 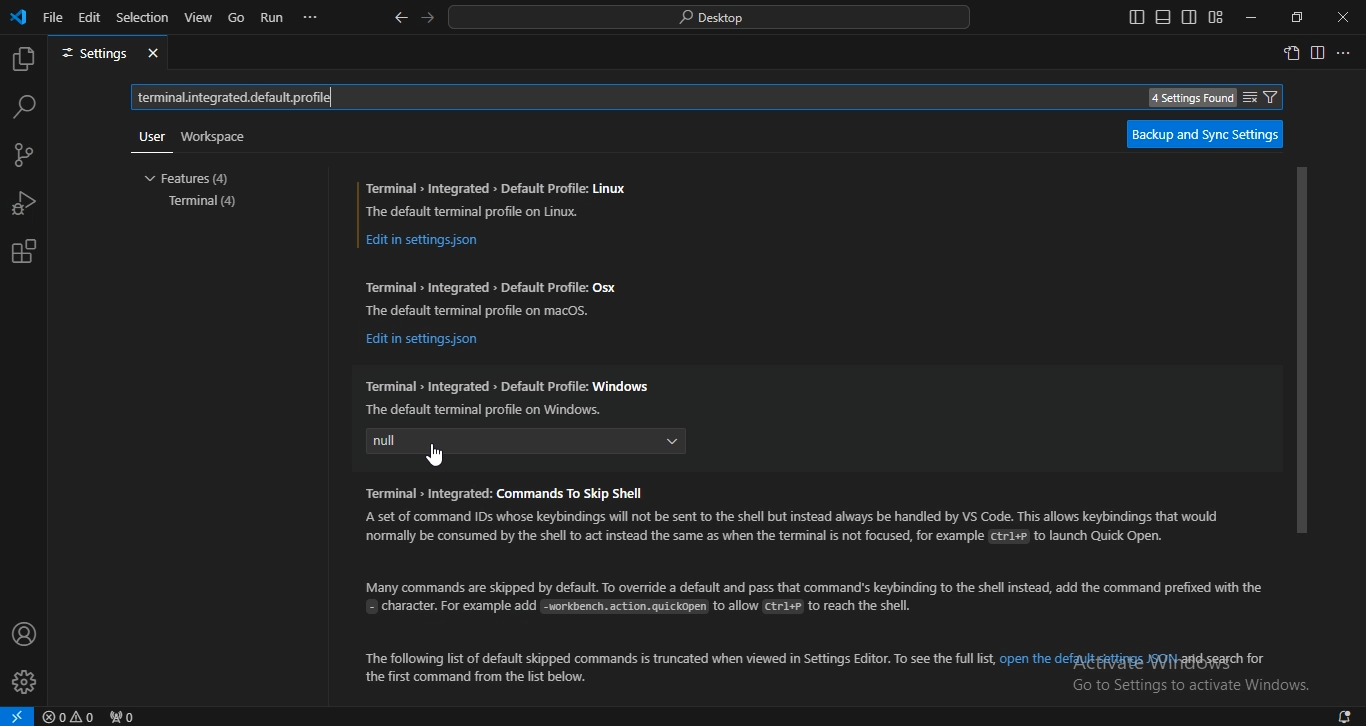 I want to click on search, so click(x=26, y=108).